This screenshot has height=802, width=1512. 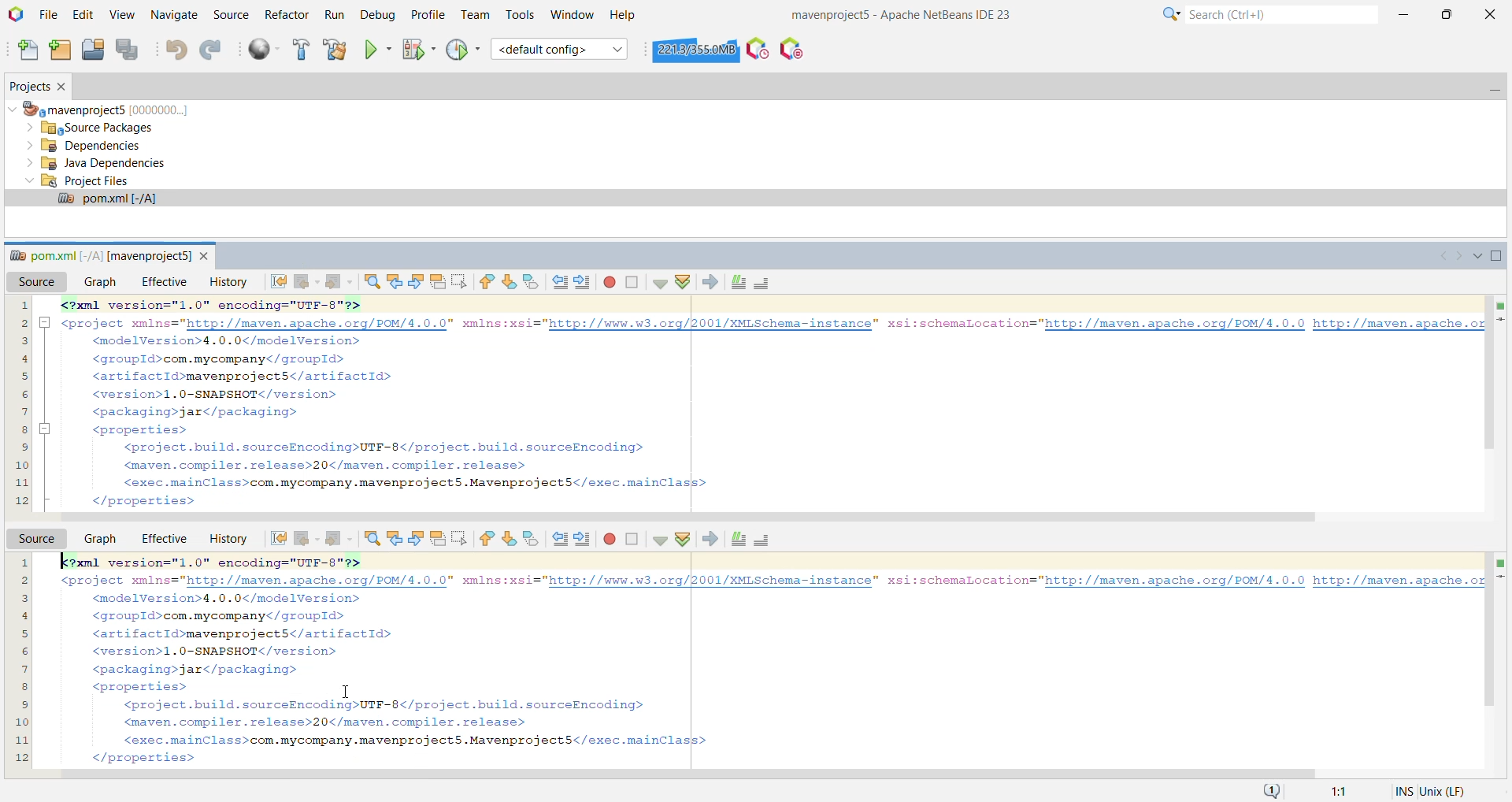 I want to click on Insert Mode, so click(x=1400, y=791).